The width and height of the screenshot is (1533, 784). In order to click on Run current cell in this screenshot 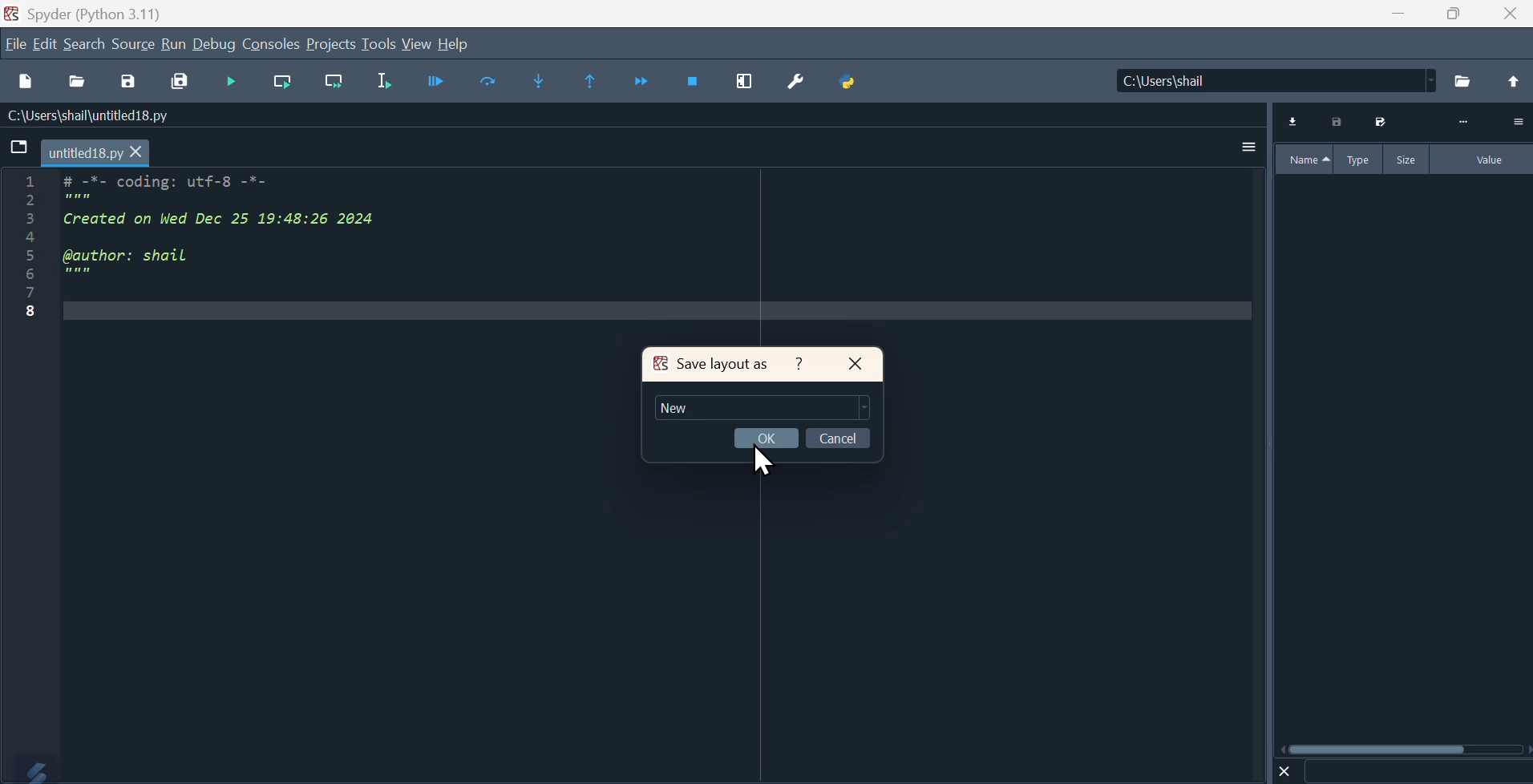, I will do `click(282, 83)`.